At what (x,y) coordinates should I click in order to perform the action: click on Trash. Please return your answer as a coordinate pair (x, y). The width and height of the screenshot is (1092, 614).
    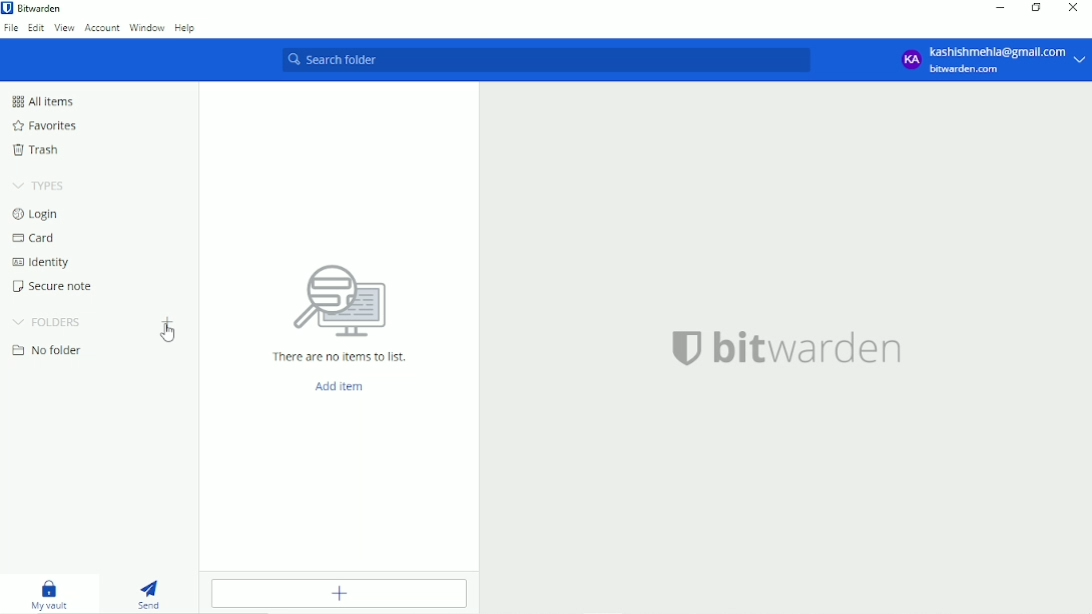
    Looking at the image, I should click on (36, 150).